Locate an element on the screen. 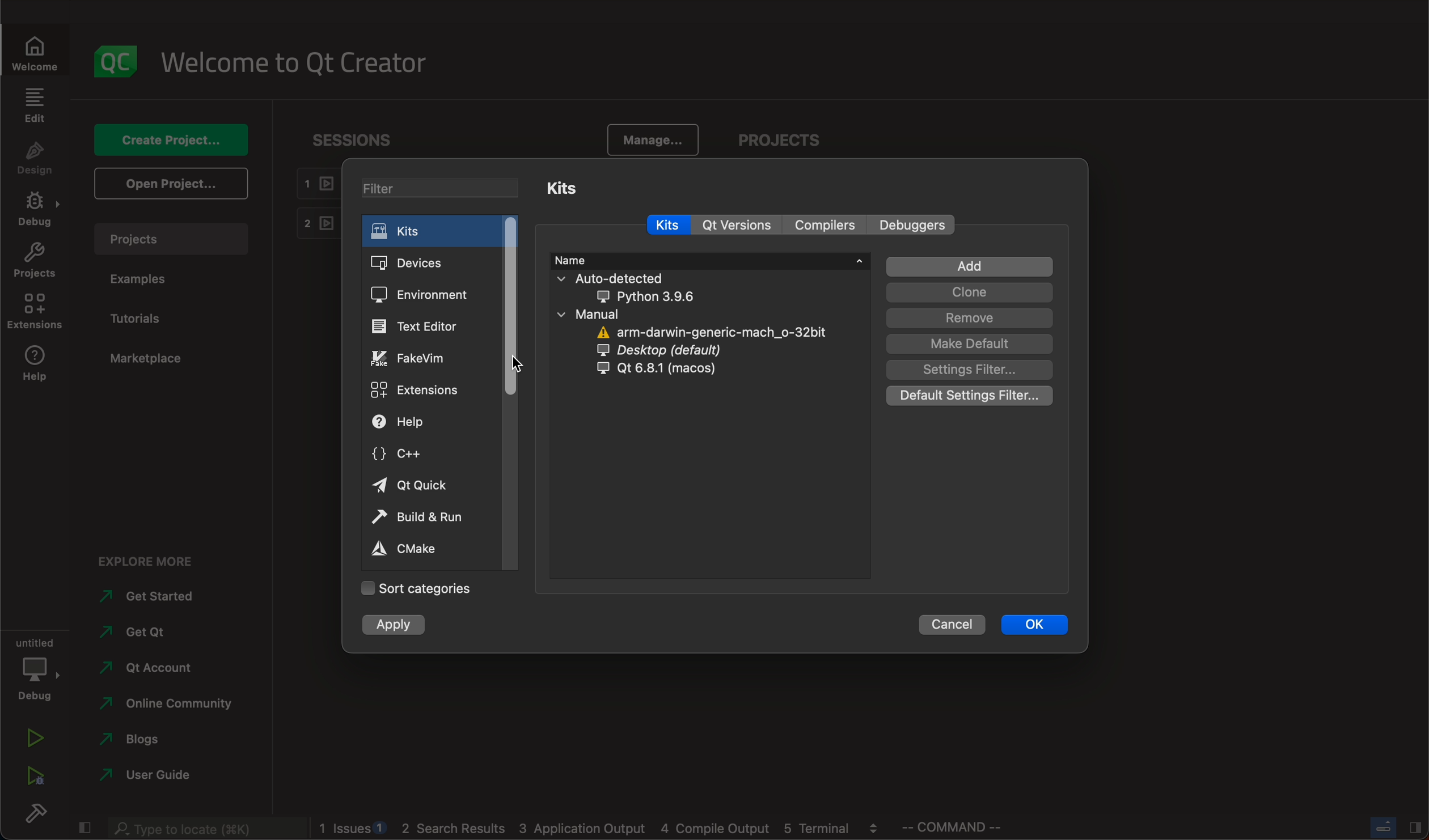 The height and width of the screenshot is (840, 1429). defULT is located at coordinates (973, 397).